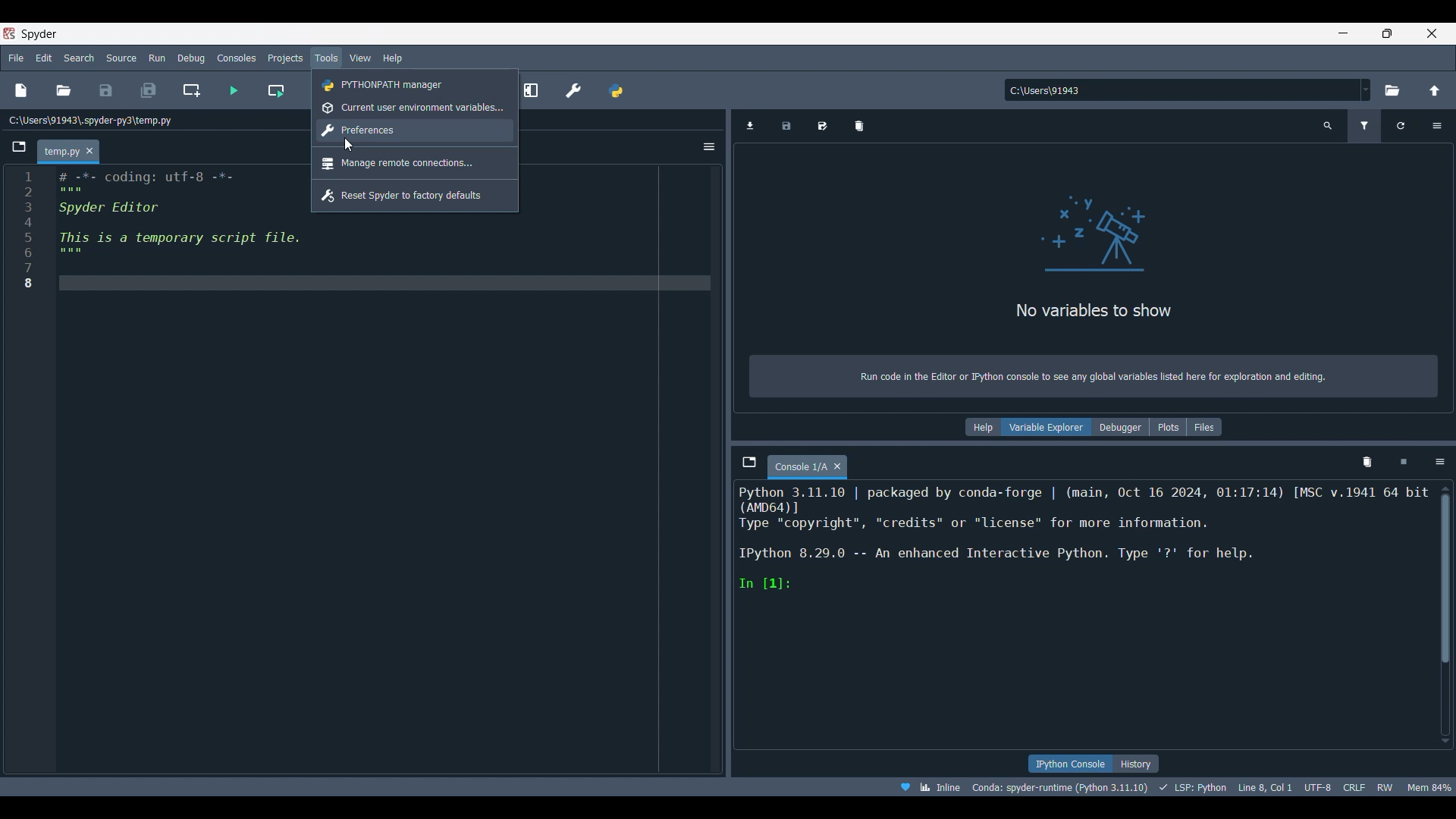  What do you see at coordinates (1165, 428) in the screenshot?
I see `Plots` at bounding box center [1165, 428].